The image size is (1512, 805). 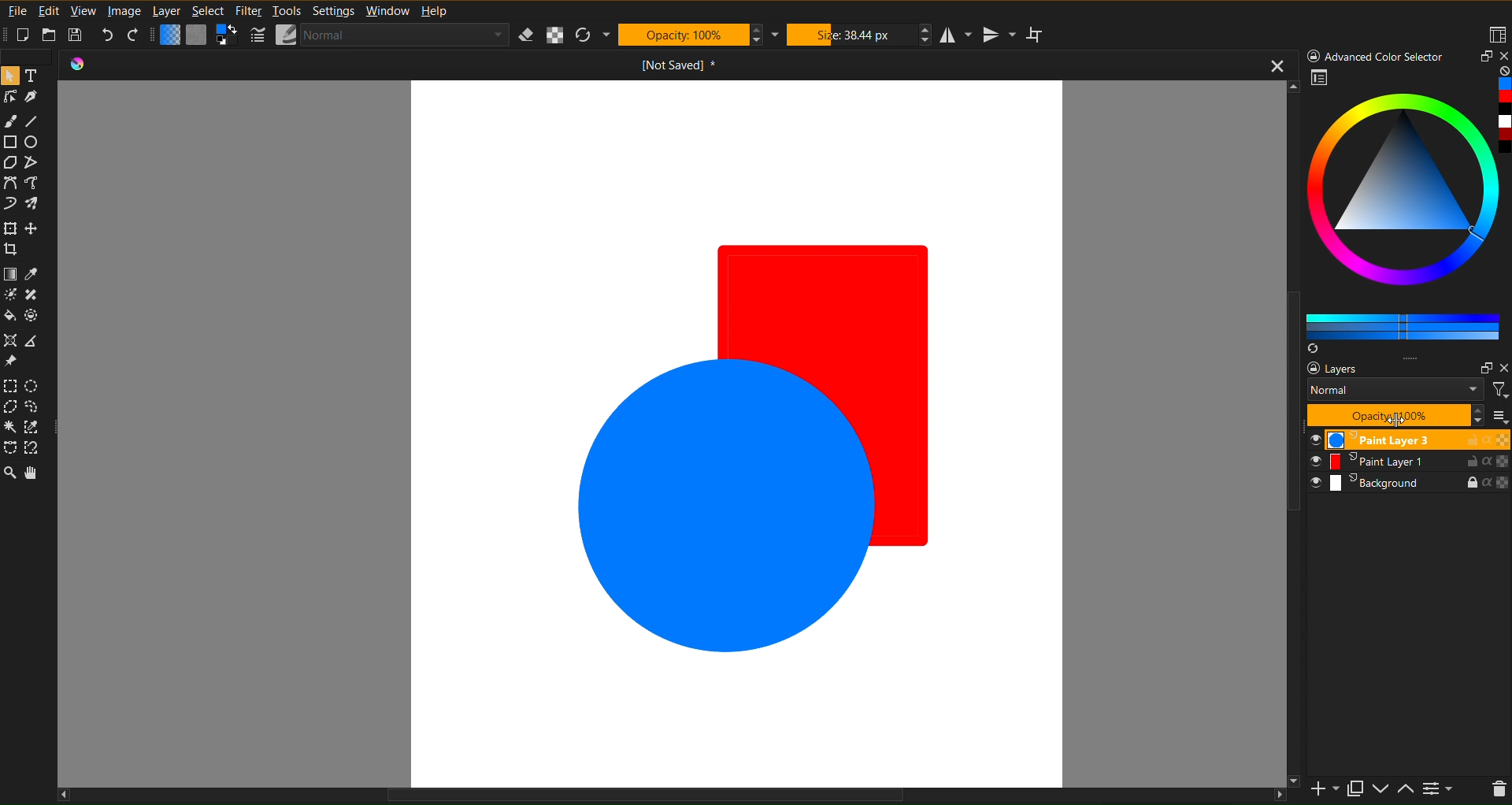 What do you see at coordinates (1409, 440) in the screenshot?
I see `Paint Layer 3` at bounding box center [1409, 440].